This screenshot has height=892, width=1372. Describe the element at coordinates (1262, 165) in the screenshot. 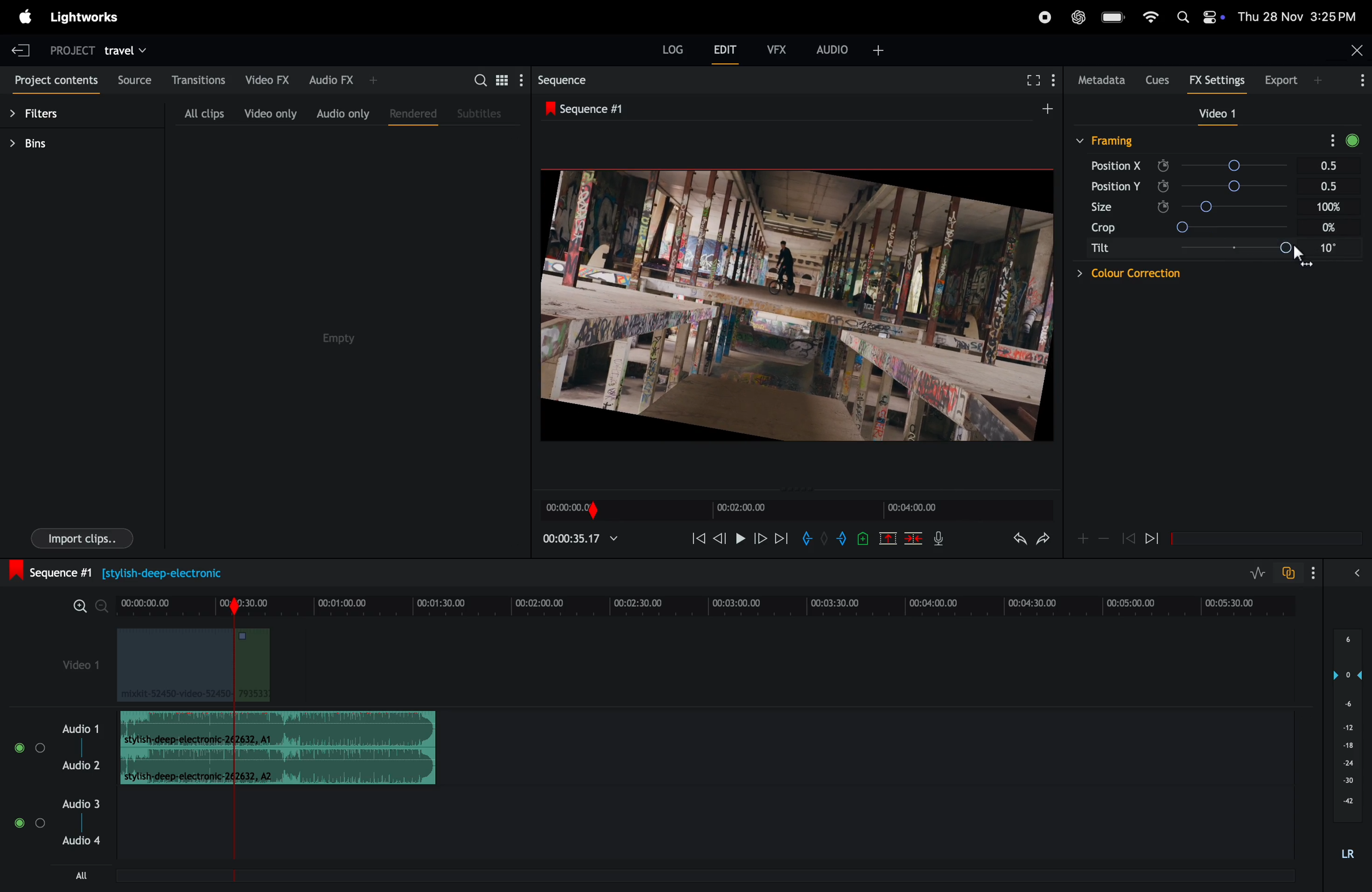

I see `Position X slider` at that location.